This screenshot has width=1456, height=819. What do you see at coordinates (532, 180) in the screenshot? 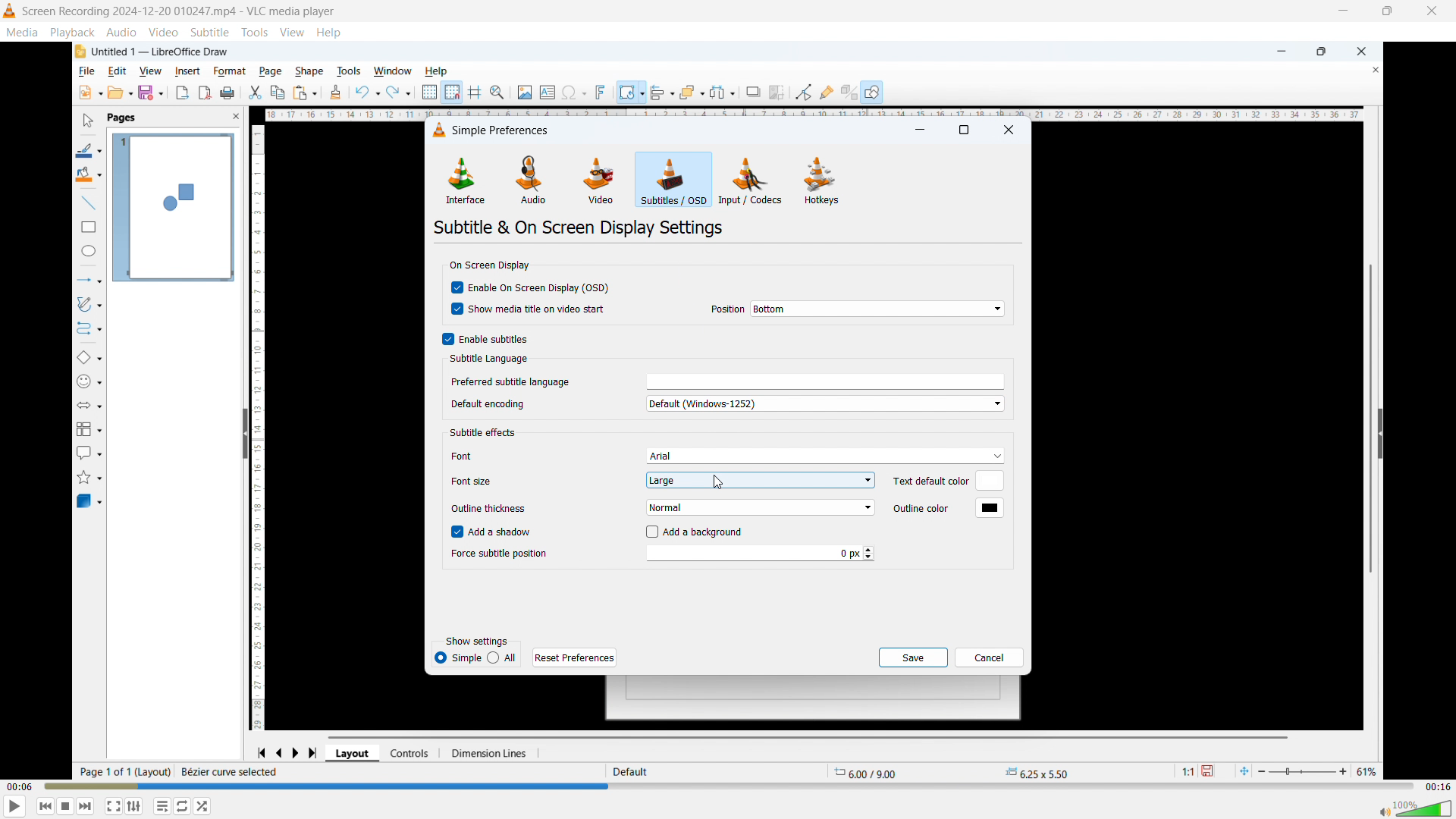
I see `Audio ` at bounding box center [532, 180].